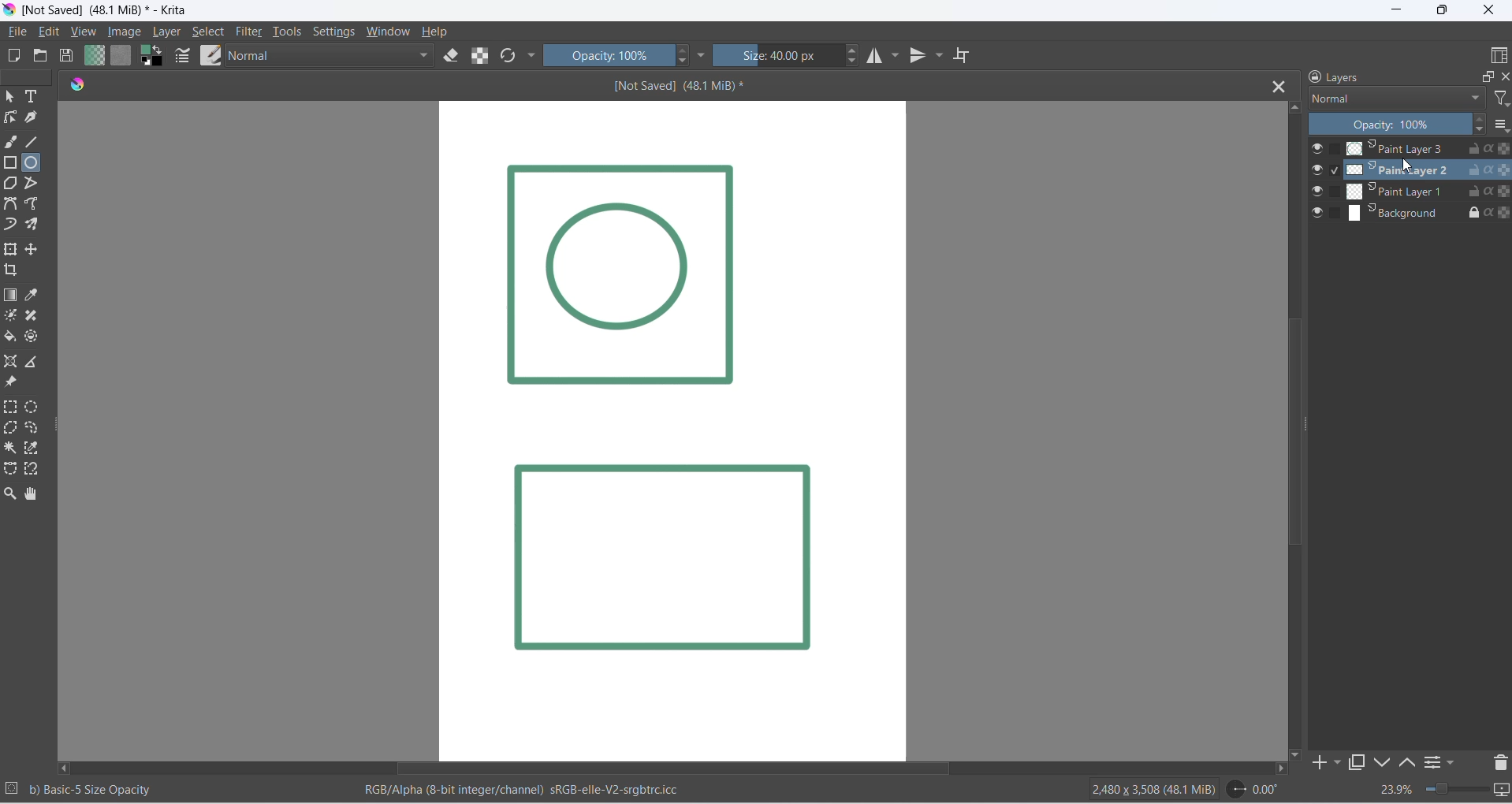 The image size is (1512, 804). What do you see at coordinates (1294, 108) in the screenshot?
I see `move up button` at bounding box center [1294, 108].